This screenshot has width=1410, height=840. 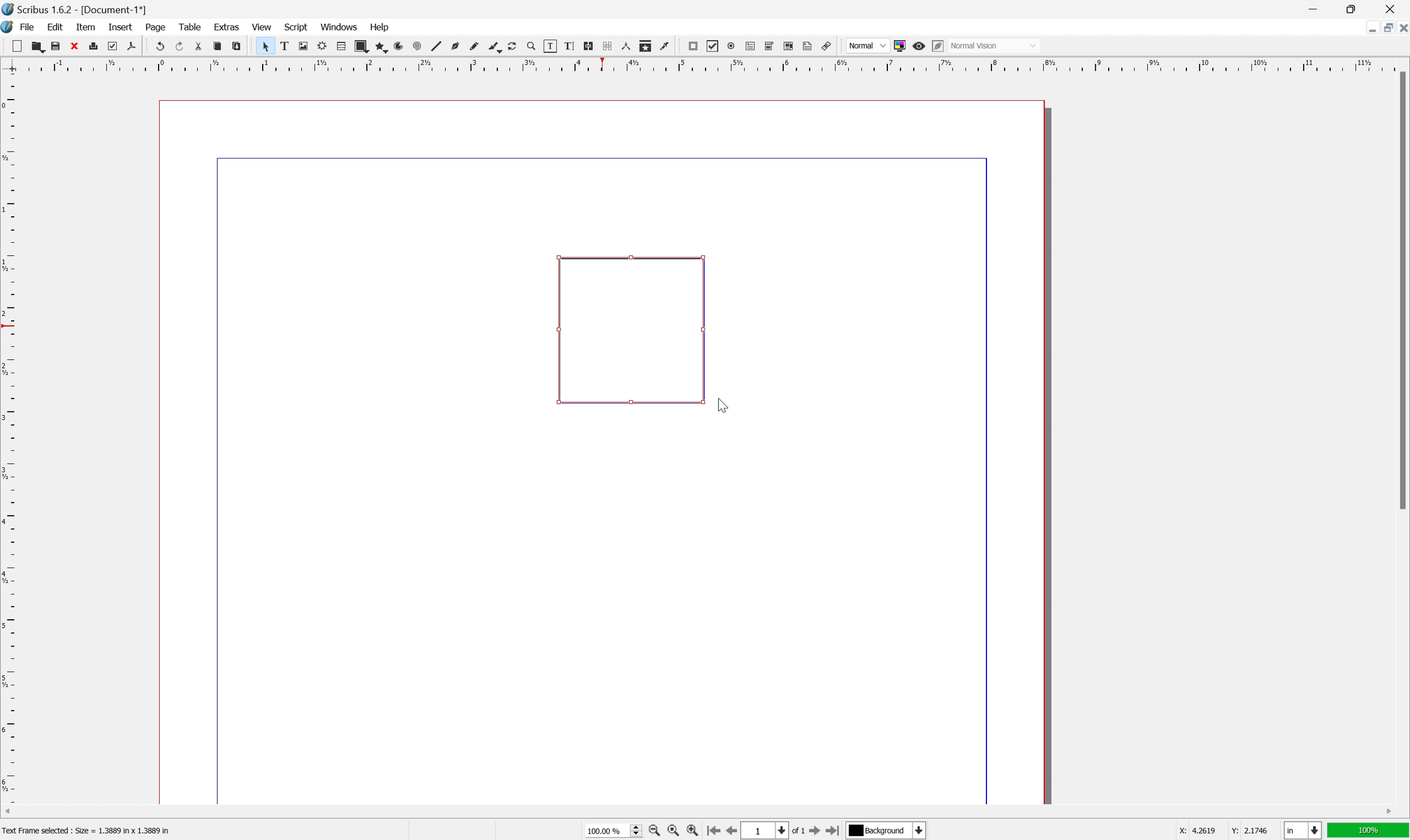 I want to click on insert, so click(x=121, y=27).